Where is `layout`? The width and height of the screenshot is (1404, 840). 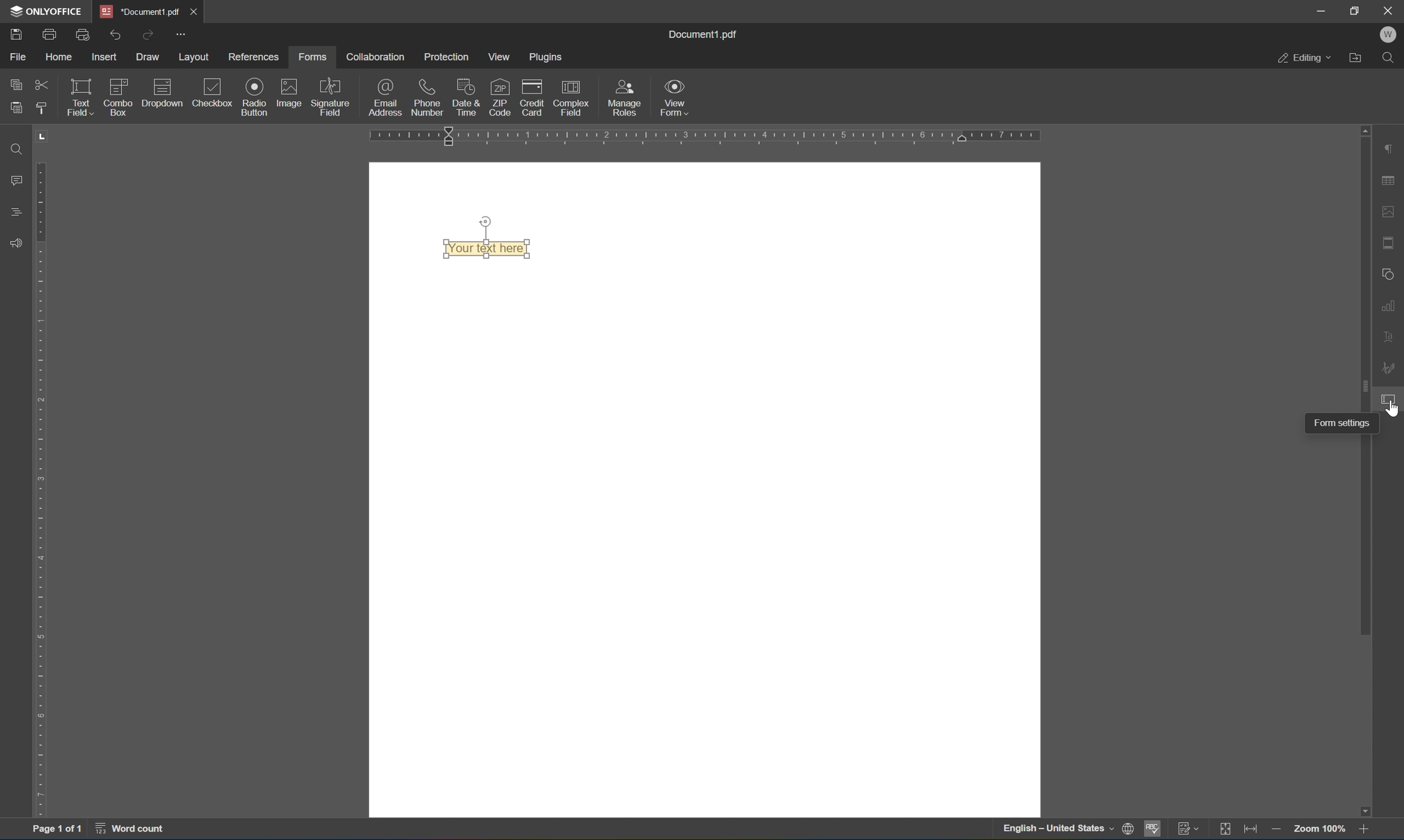
layout is located at coordinates (192, 55).